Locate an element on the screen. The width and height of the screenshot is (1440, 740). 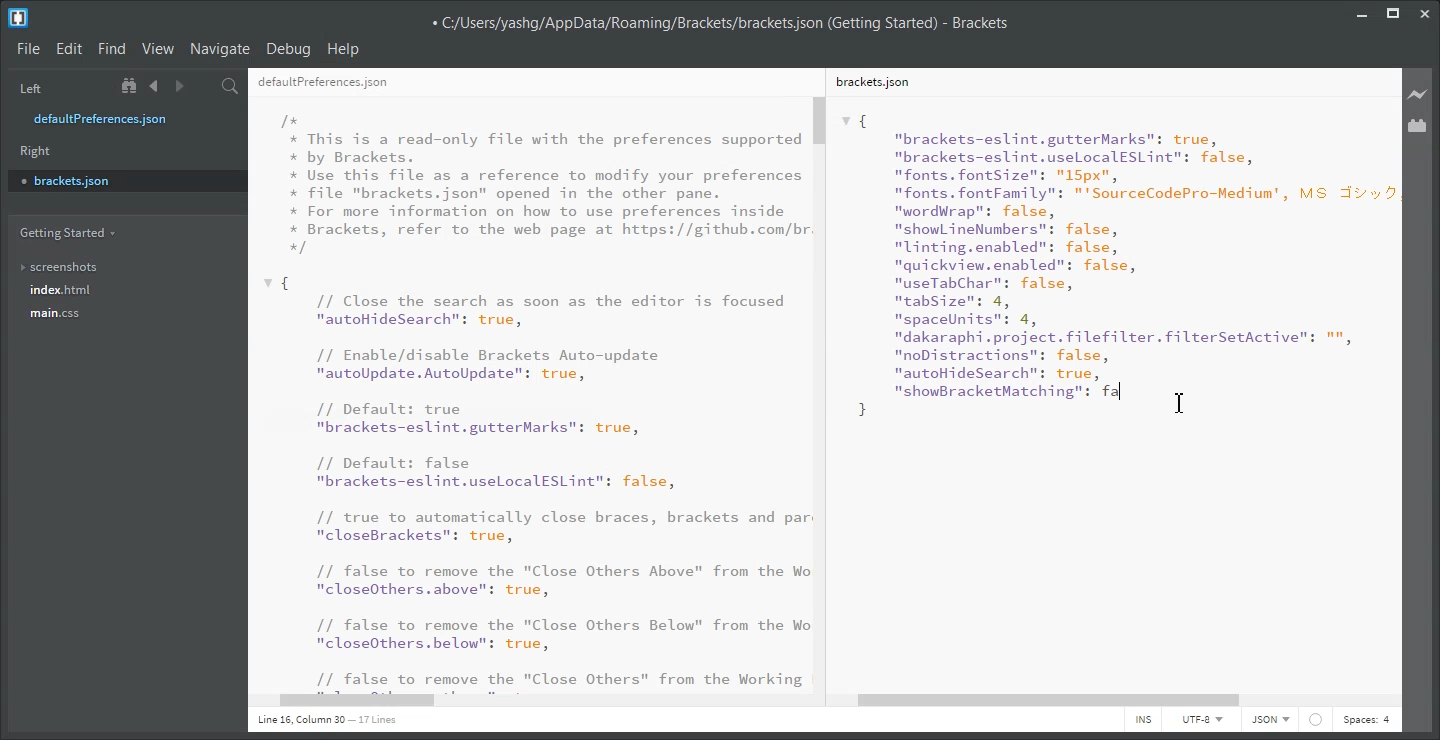
INS is located at coordinates (1143, 720).